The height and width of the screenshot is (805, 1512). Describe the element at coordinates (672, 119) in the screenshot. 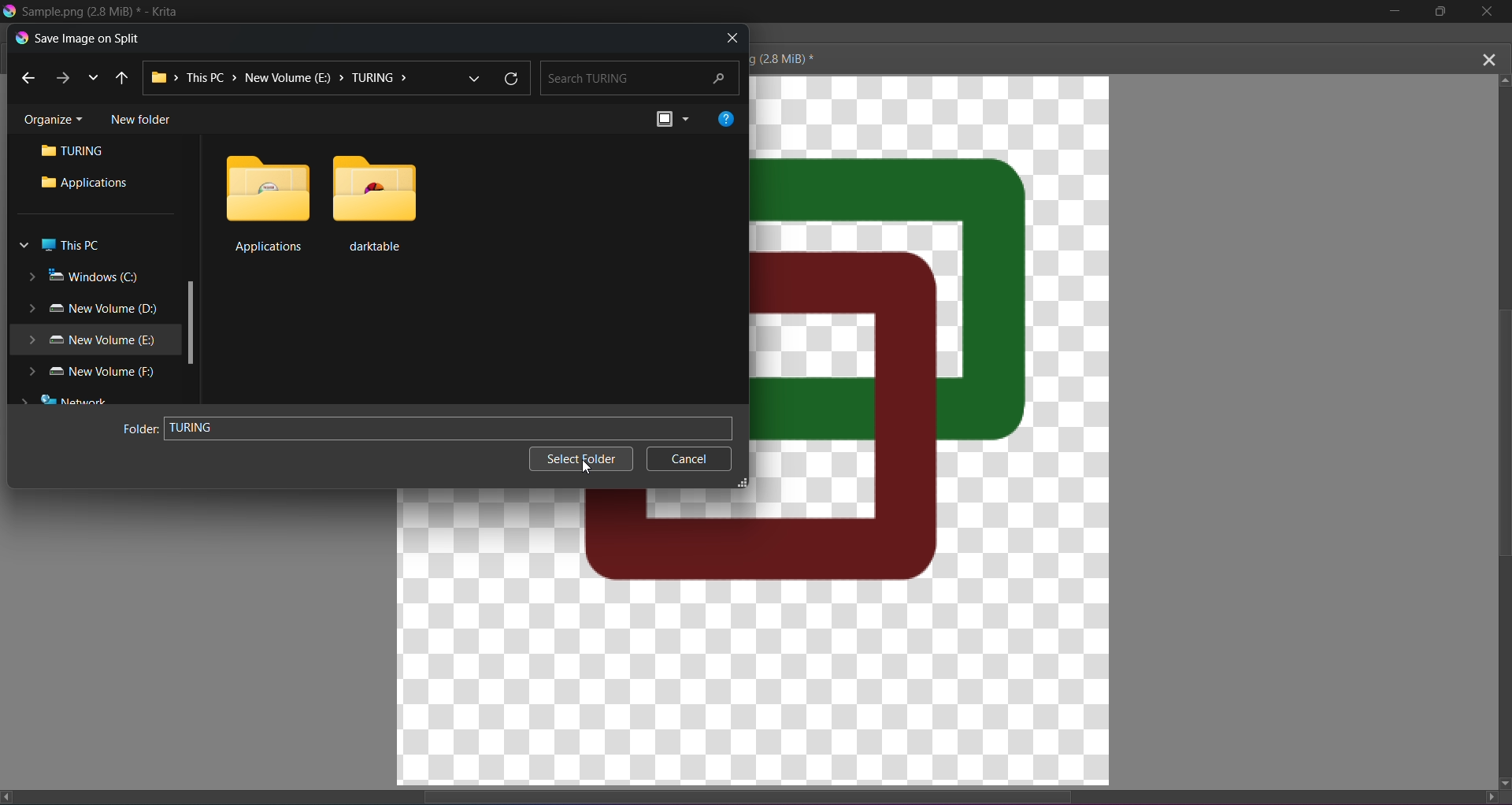

I see `Options` at that location.